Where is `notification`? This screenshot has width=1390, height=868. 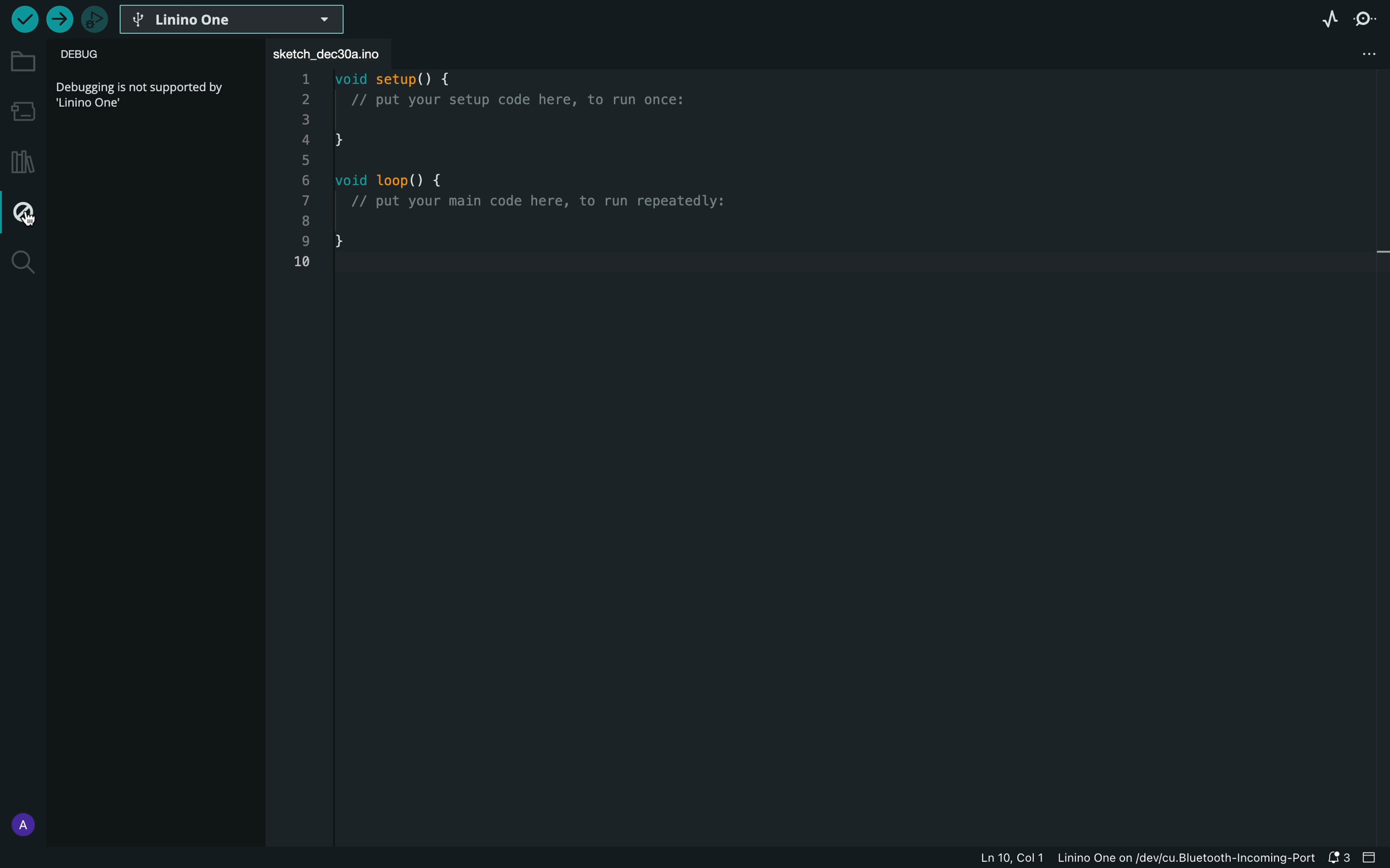 notification is located at coordinates (1339, 858).